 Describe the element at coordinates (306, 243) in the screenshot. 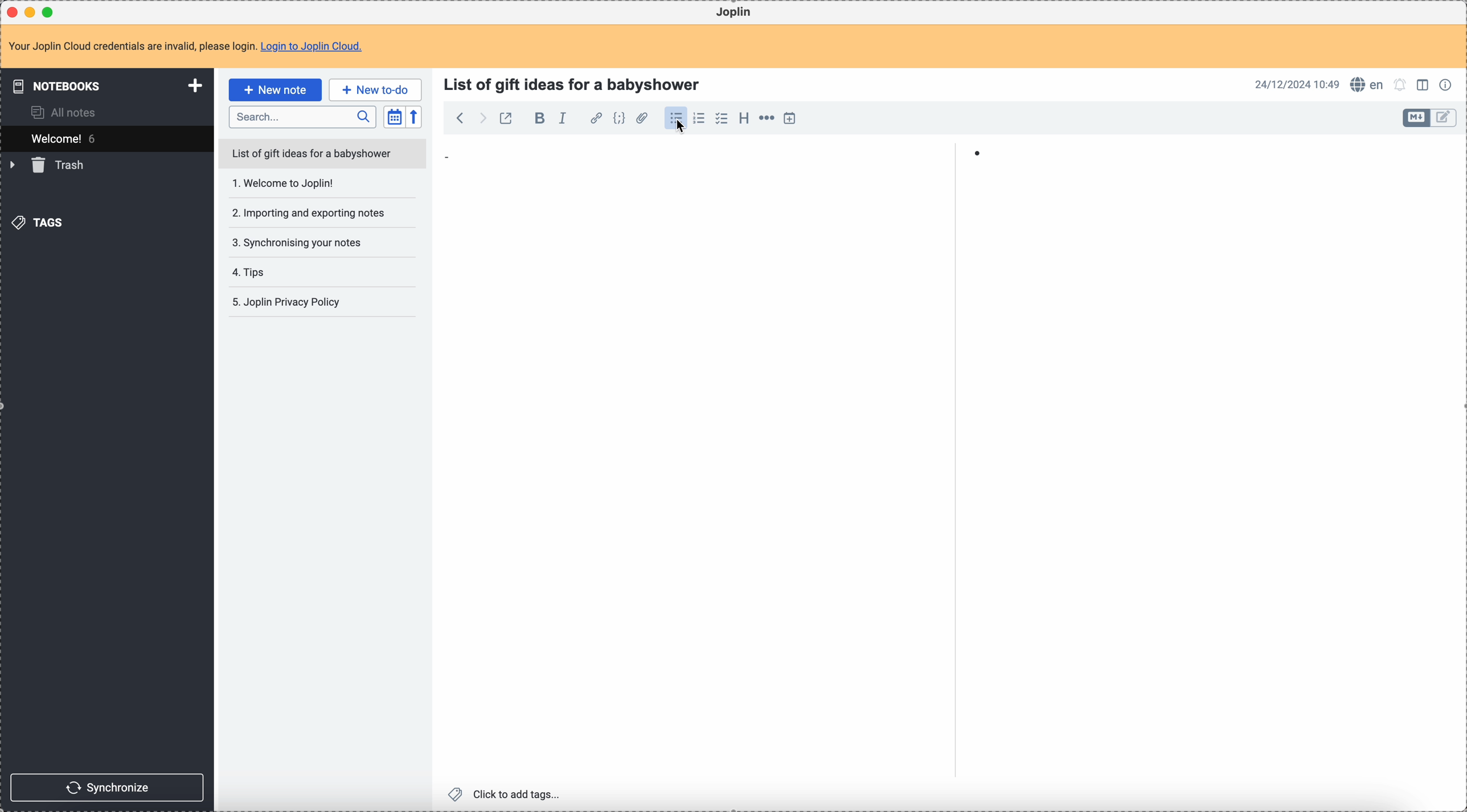

I see `synchronising your notes` at that location.